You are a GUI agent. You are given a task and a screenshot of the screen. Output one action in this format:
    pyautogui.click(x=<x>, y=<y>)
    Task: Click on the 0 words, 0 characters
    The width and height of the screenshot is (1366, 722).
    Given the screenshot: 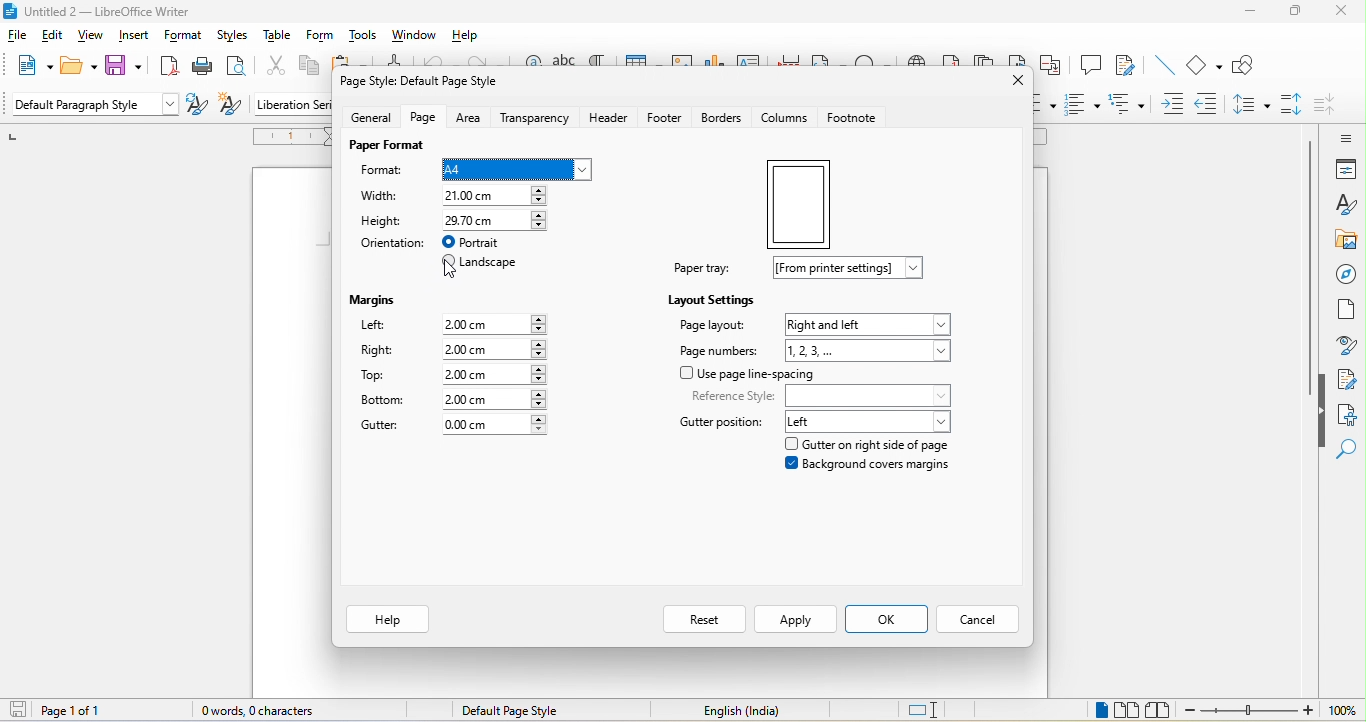 What is the action you would take?
    pyautogui.click(x=268, y=710)
    